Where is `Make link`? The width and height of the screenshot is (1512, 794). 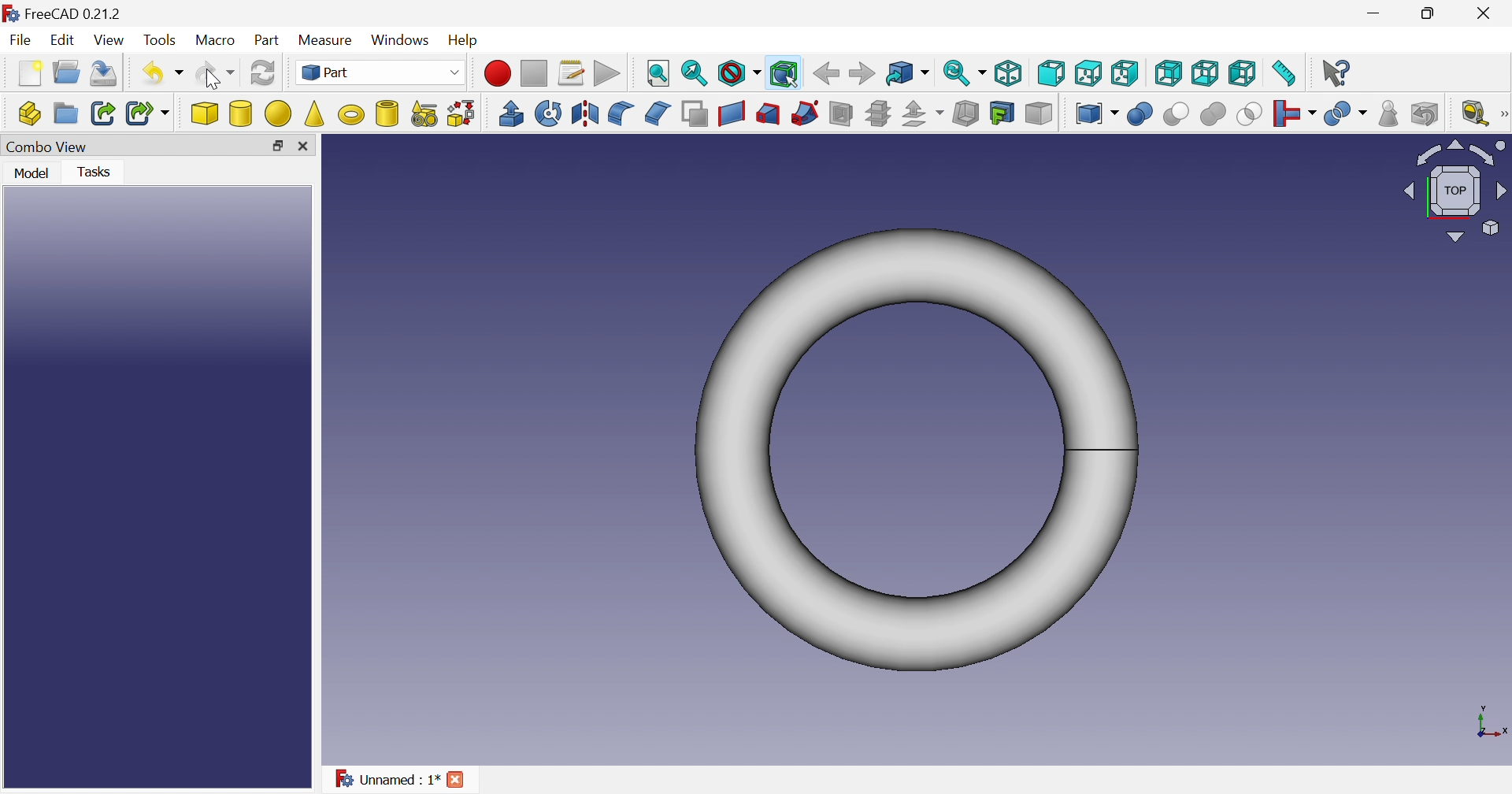 Make link is located at coordinates (103, 113).